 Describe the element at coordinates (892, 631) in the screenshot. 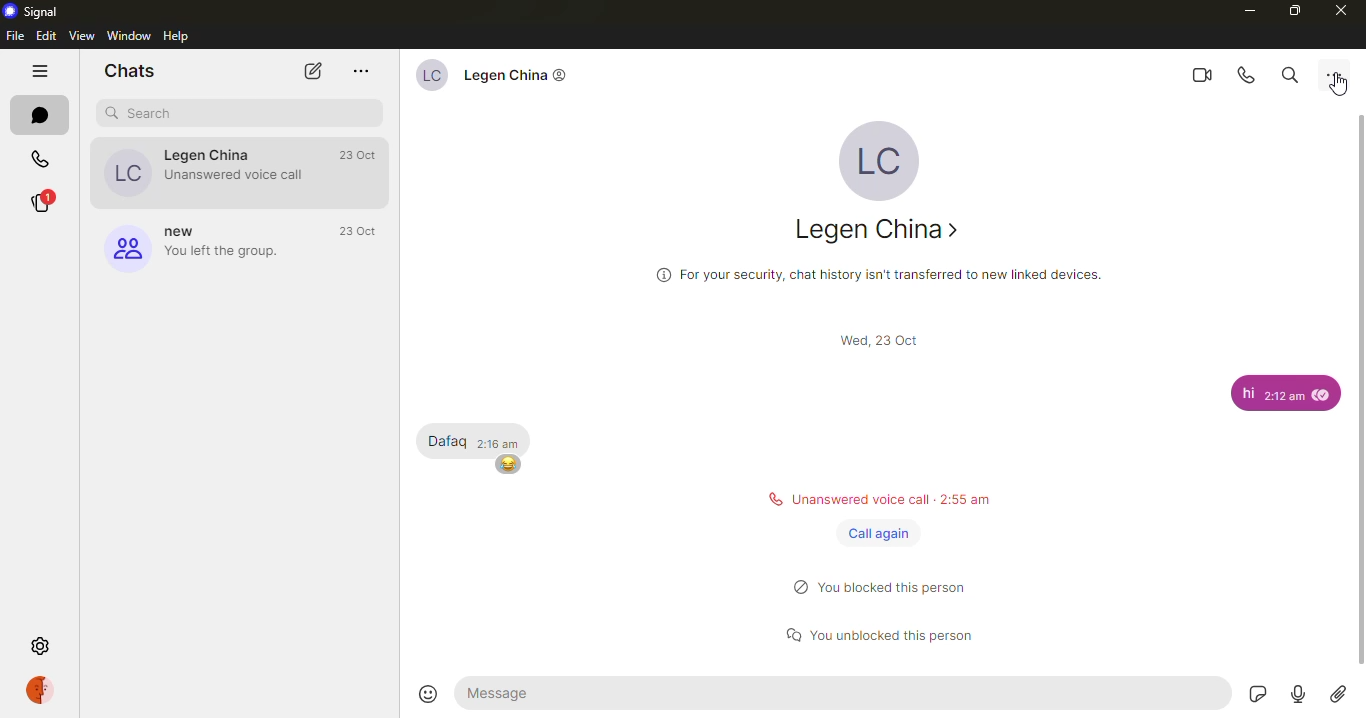

I see `status message` at that location.